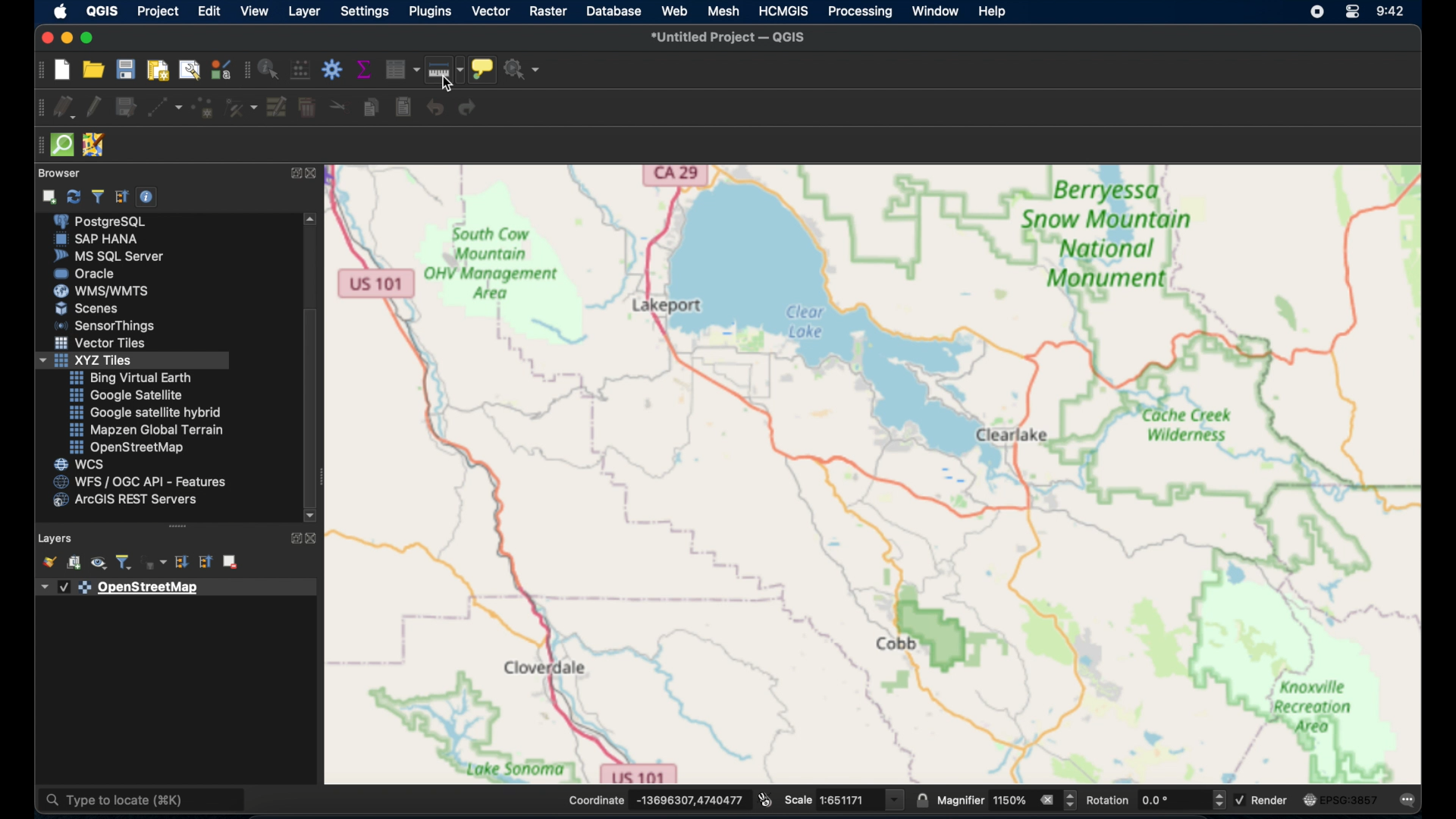 The height and width of the screenshot is (819, 1456). What do you see at coordinates (38, 71) in the screenshot?
I see `project toolbar` at bounding box center [38, 71].